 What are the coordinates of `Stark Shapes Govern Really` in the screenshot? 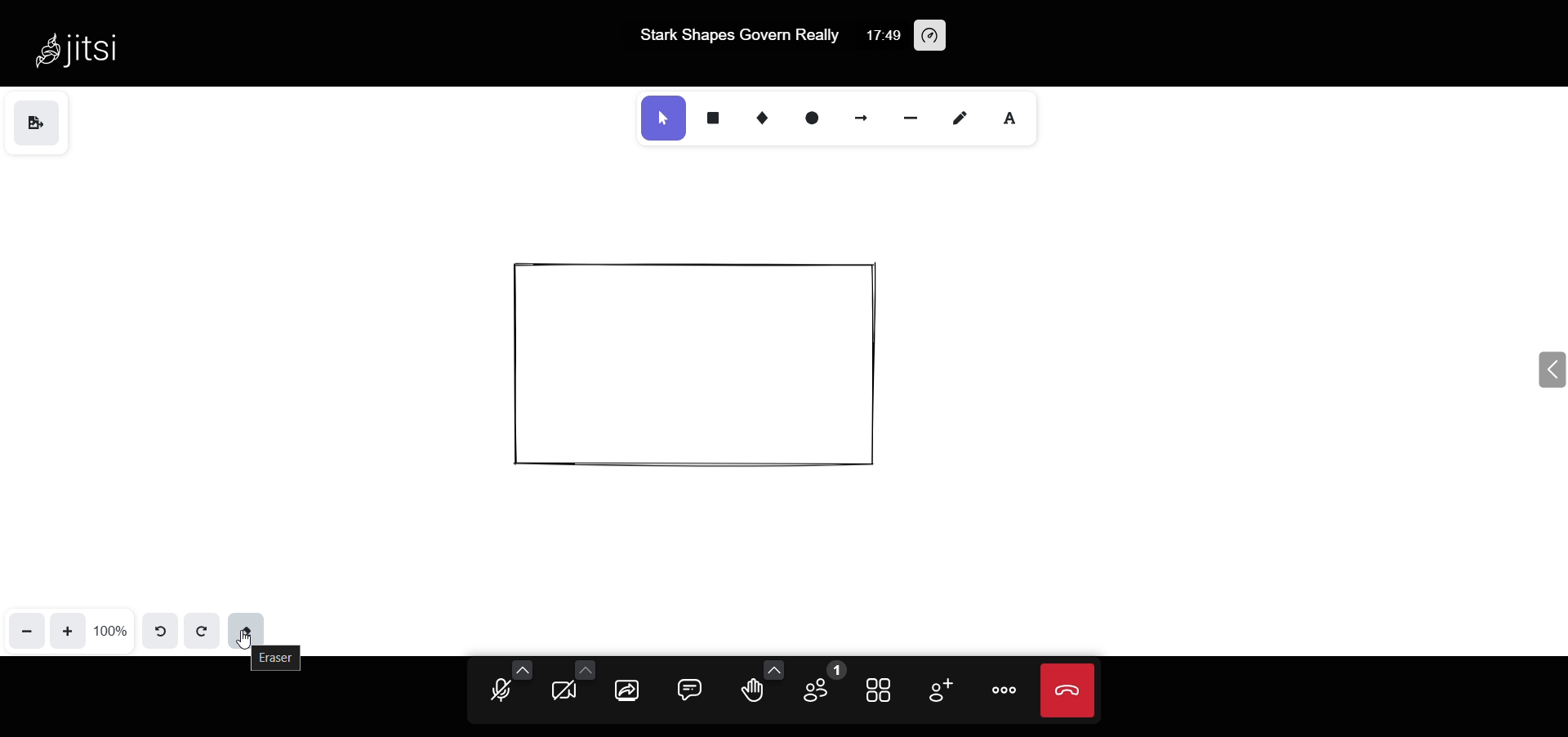 It's located at (733, 35).